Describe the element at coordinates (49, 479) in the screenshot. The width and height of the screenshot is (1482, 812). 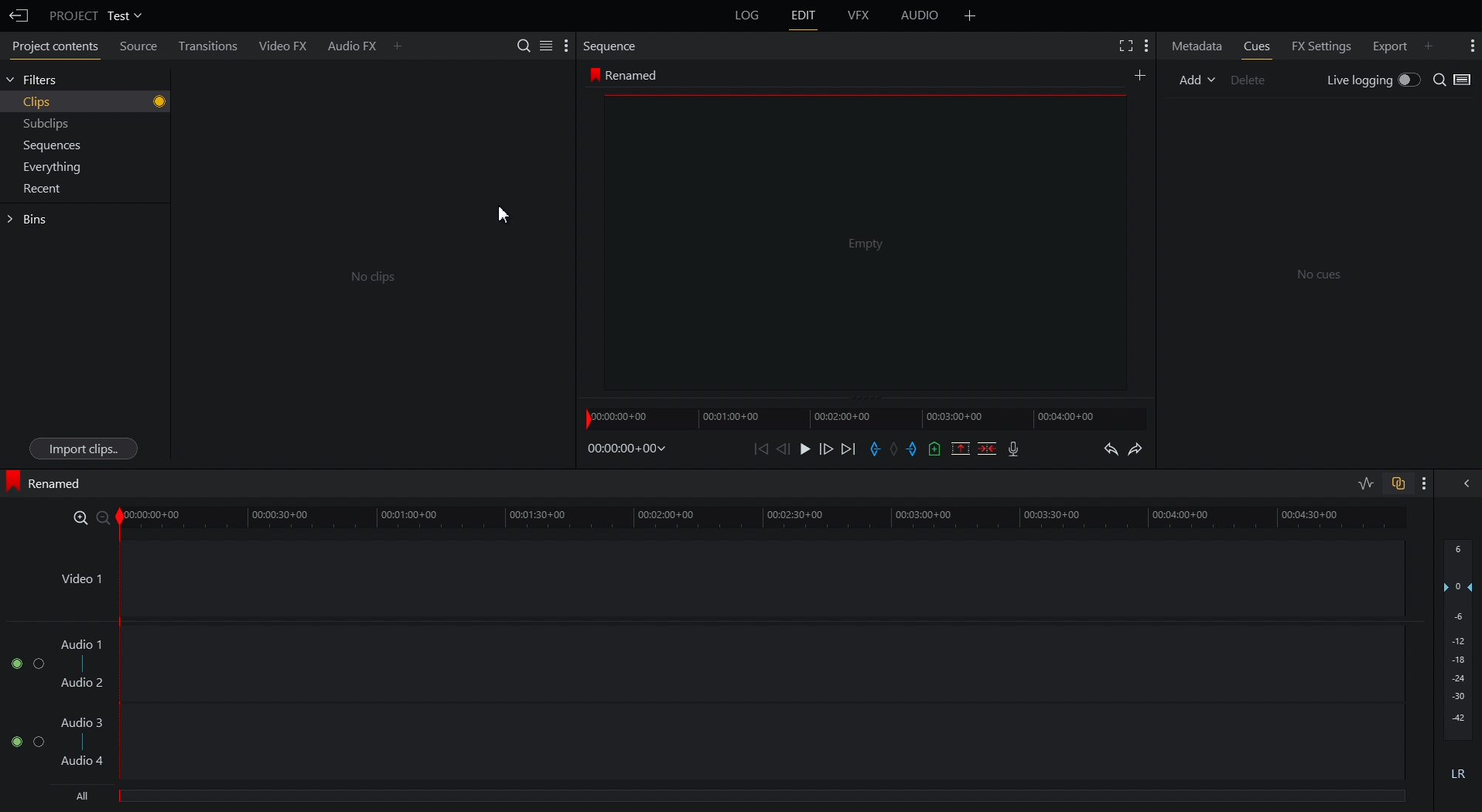
I see `Renamed` at that location.